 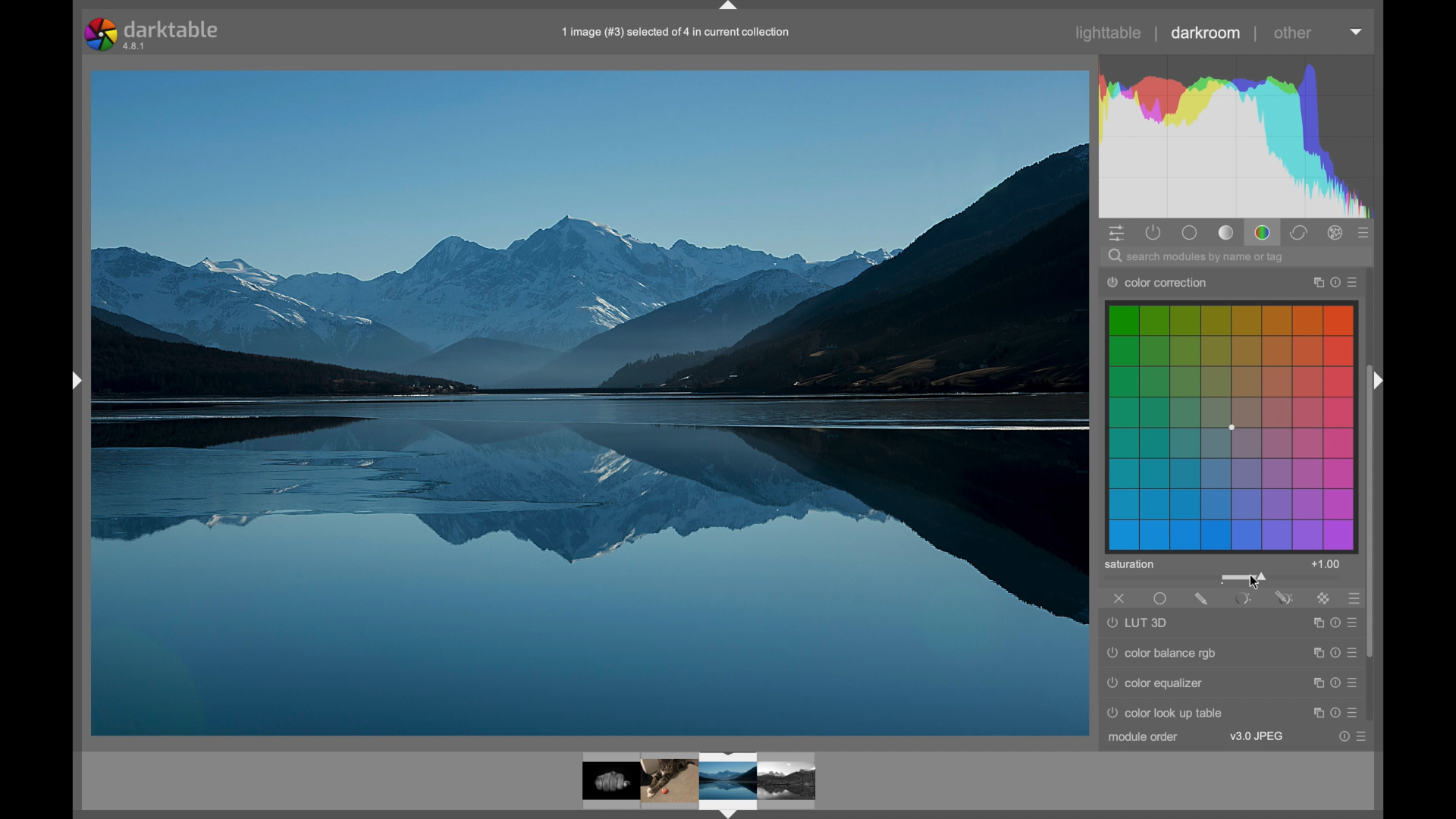 What do you see at coordinates (1328, 564) in the screenshot?
I see `1.00` at bounding box center [1328, 564].